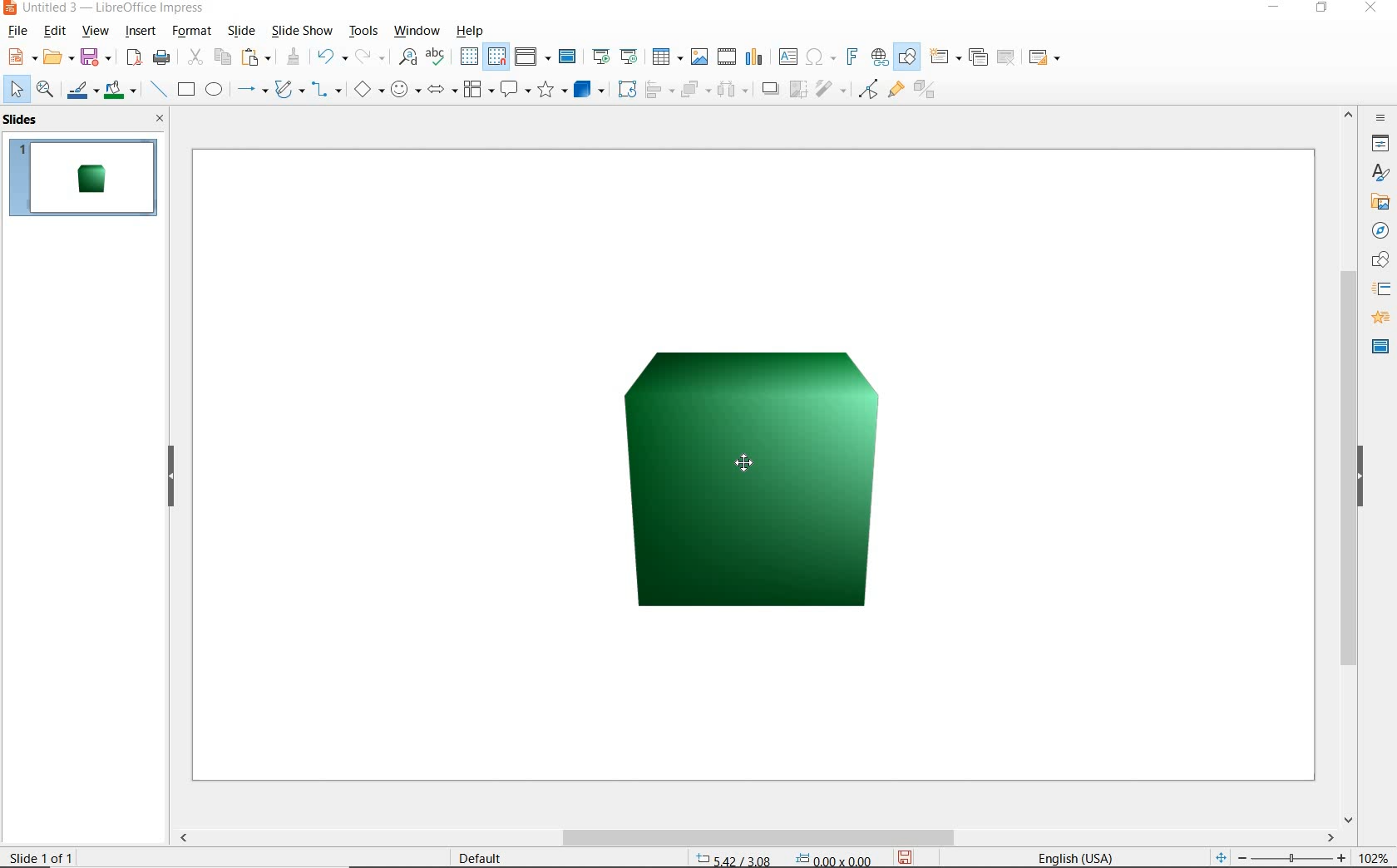 Image resolution: width=1397 pixels, height=868 pixels. Describe the element at coordinates (468, 57) in the screenshot. I see `display grid` at that location.